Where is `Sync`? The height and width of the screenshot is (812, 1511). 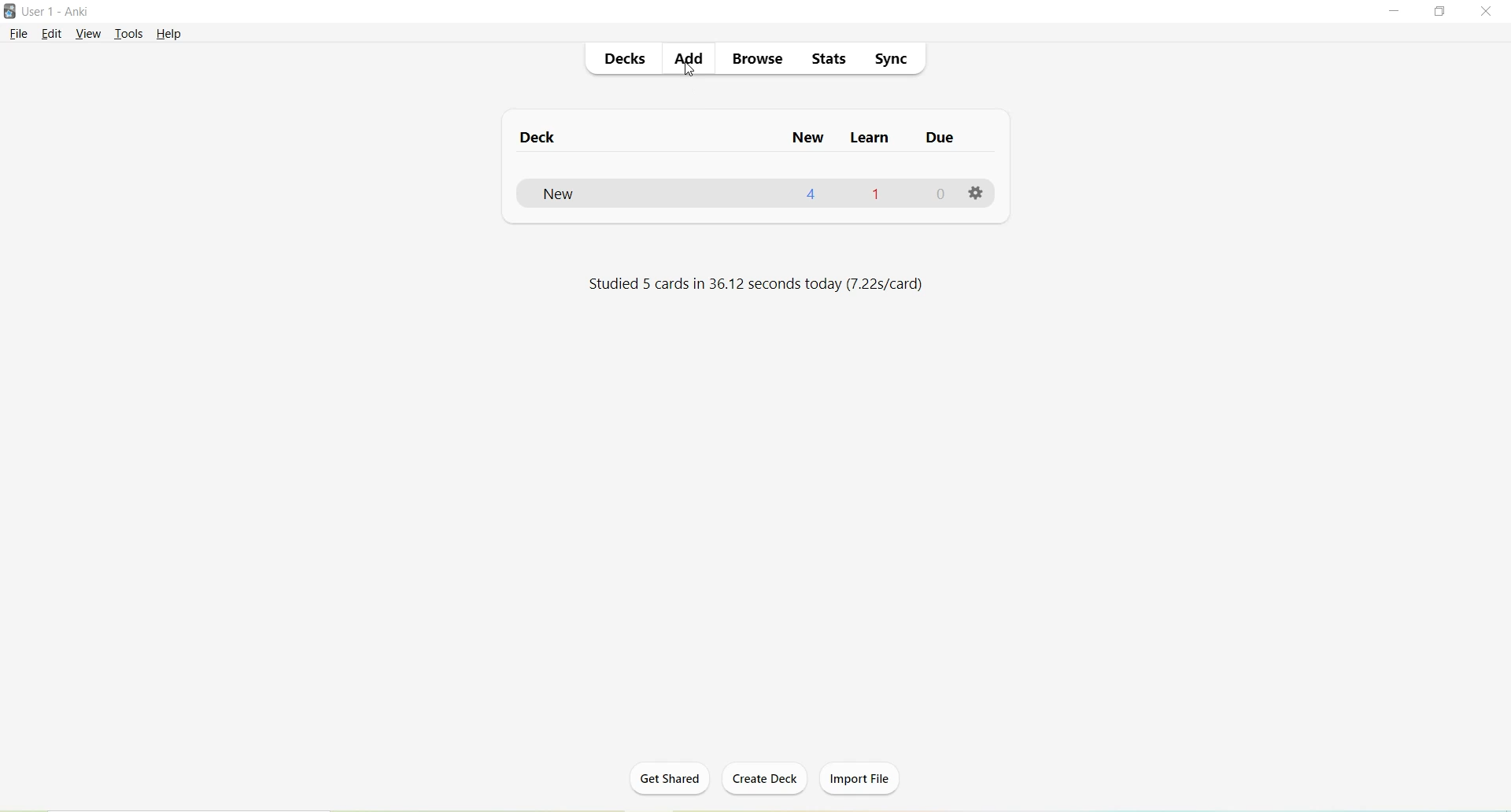 Sync is located at coordinates (890, 56).